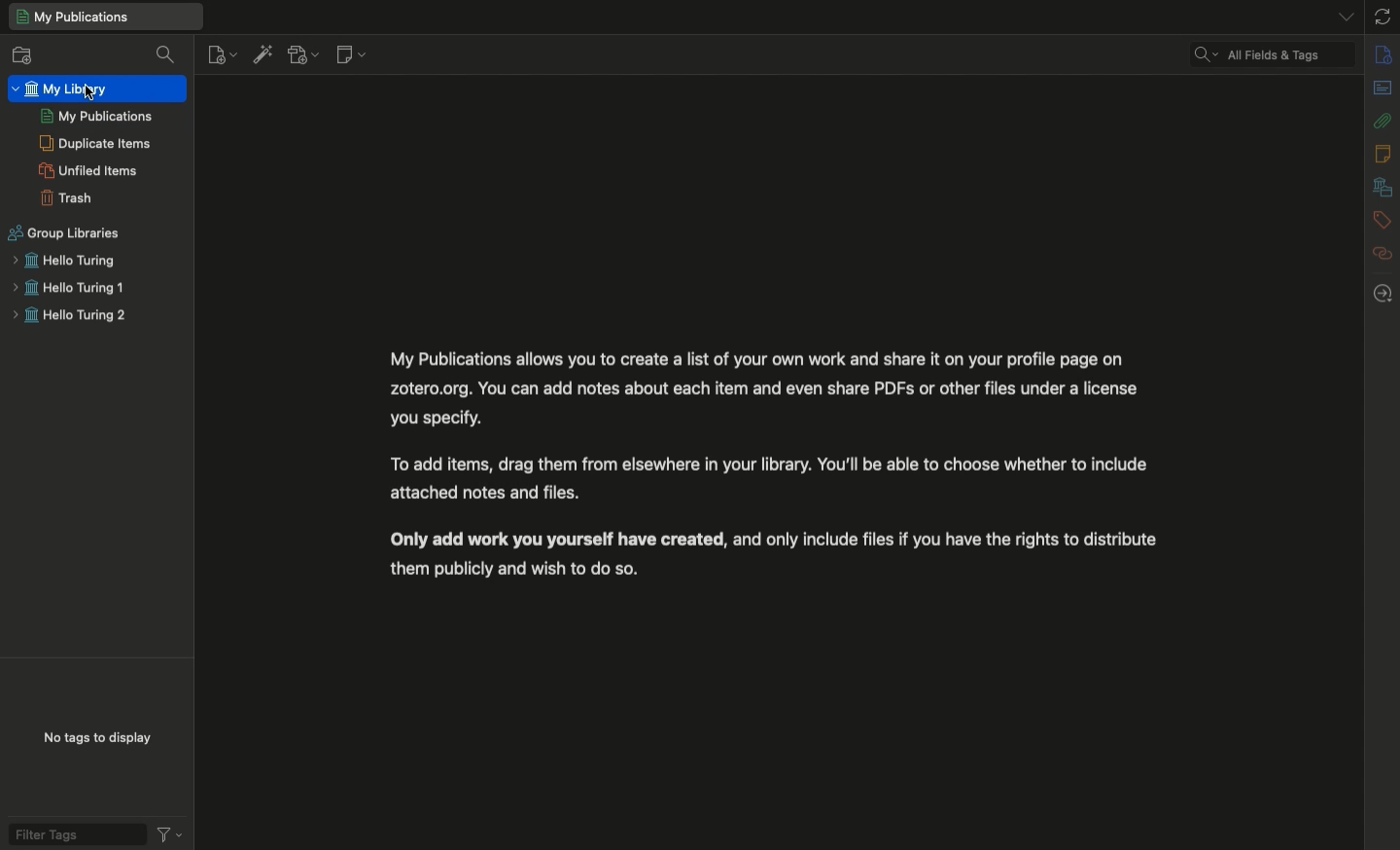 The image size is (1400, 850). Describe the element at coordinates (1339, 16) in the screenshot. I see `List all tabs` at that location.